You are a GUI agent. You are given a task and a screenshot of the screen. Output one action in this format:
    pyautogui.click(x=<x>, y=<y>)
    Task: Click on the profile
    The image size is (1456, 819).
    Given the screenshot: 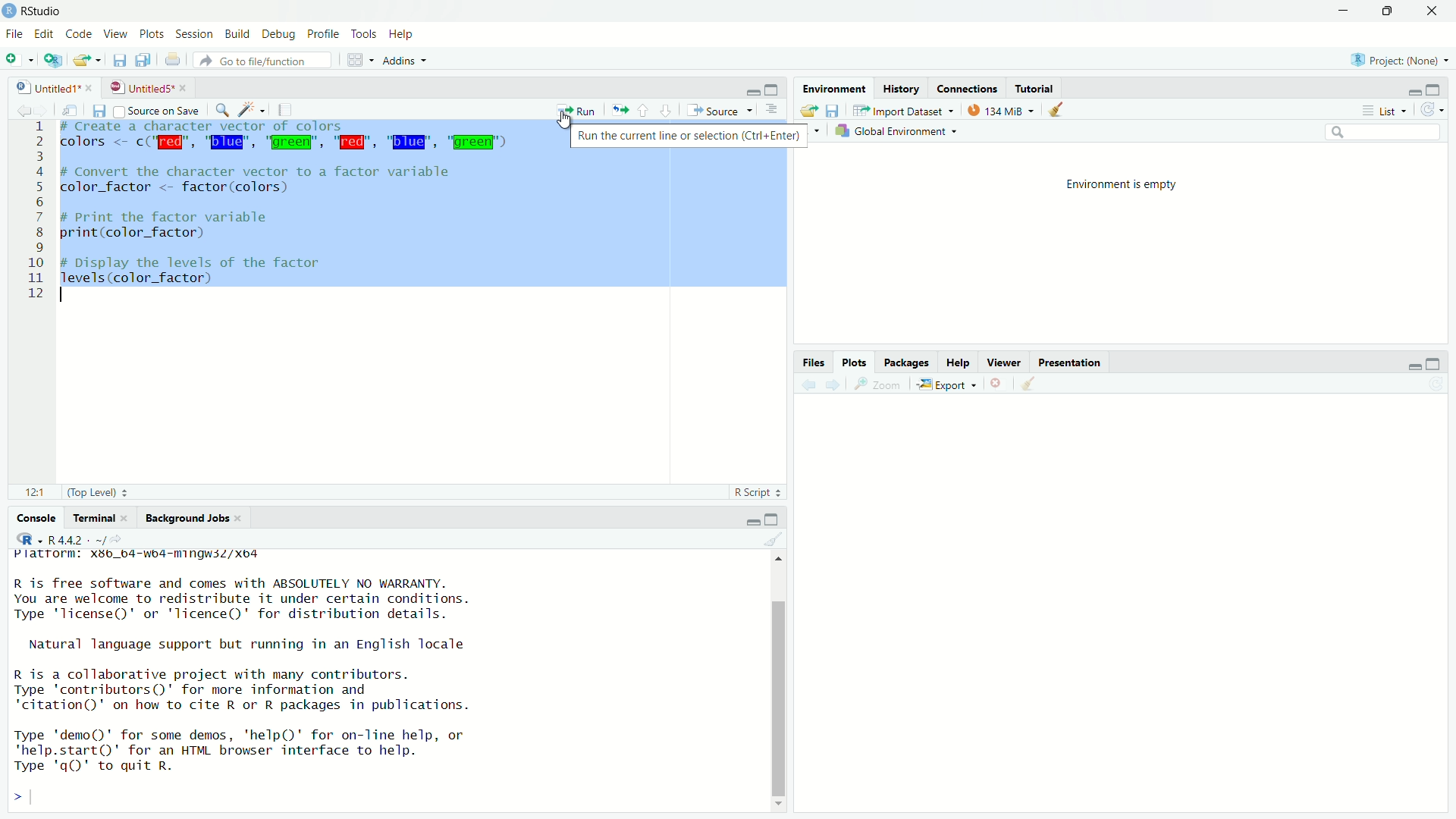 What is the action you would take?
    pyautogui.click(x=322, y=34)
    